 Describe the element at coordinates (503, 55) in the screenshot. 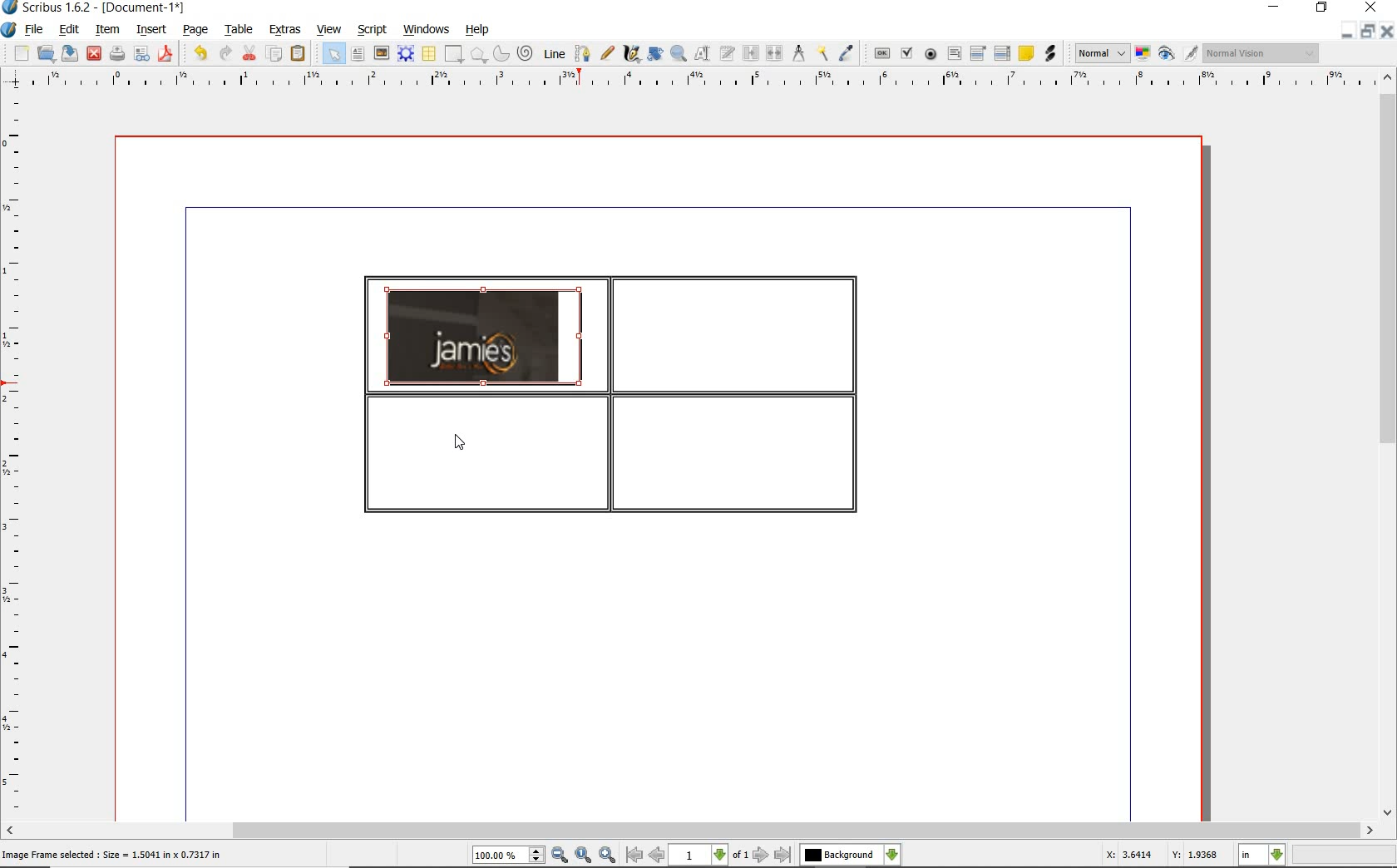

I see `arc` at that location.